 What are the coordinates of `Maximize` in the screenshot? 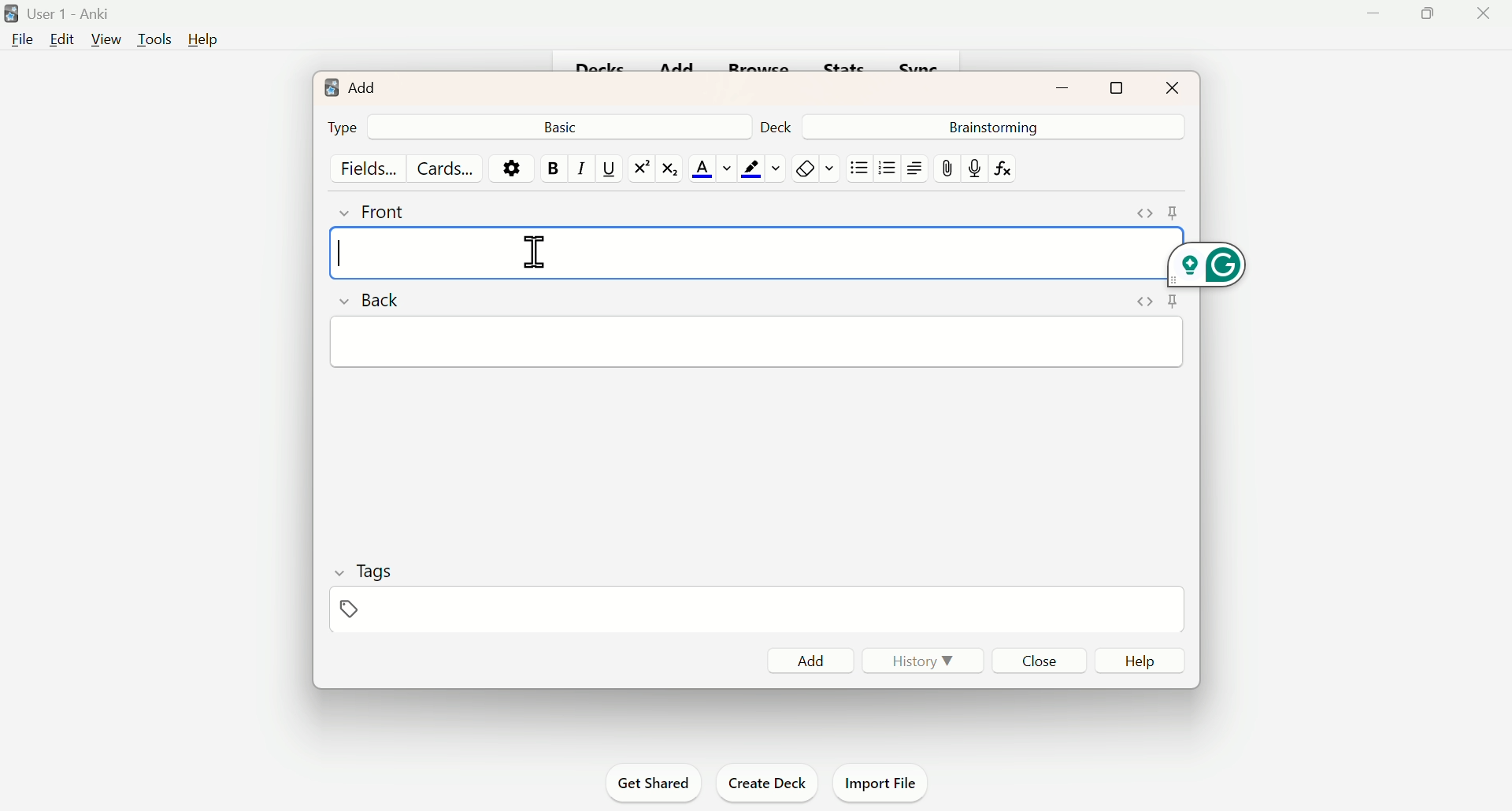 It's located at (1117, 85).